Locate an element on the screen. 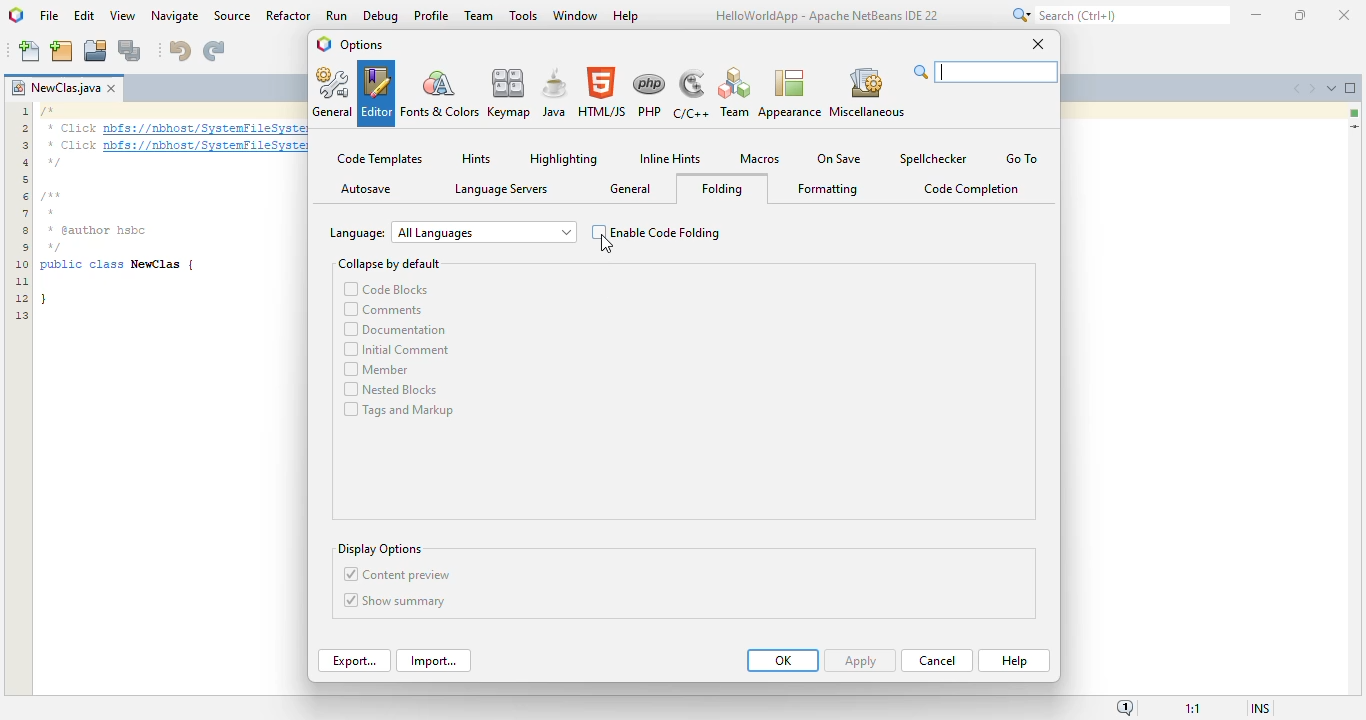 This screenshot has height=720, width=1366. on save is located at coordinates (839, 159).